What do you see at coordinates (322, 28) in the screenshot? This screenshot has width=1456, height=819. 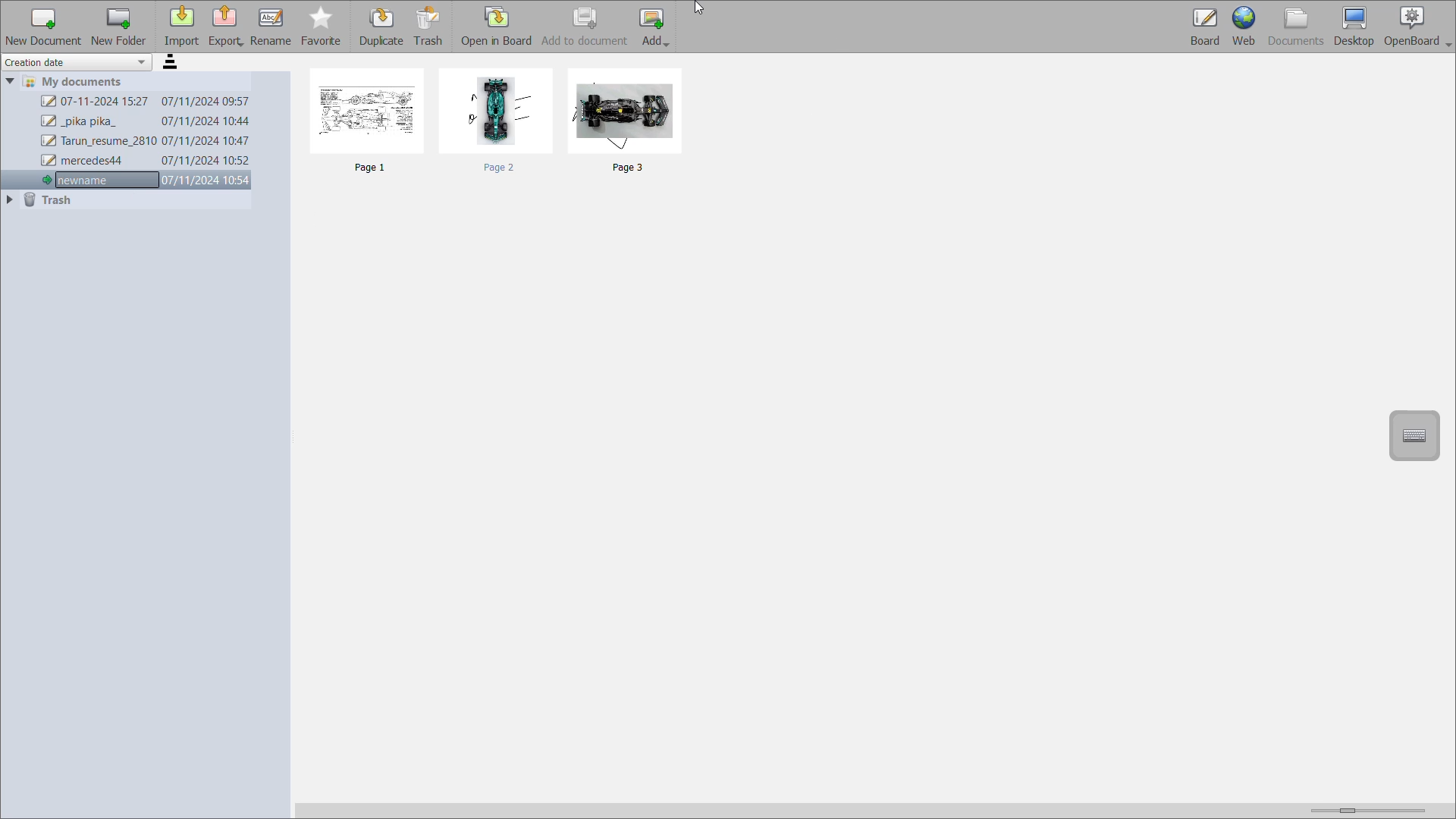 I see `favourite` at bounding box center [322, 28].